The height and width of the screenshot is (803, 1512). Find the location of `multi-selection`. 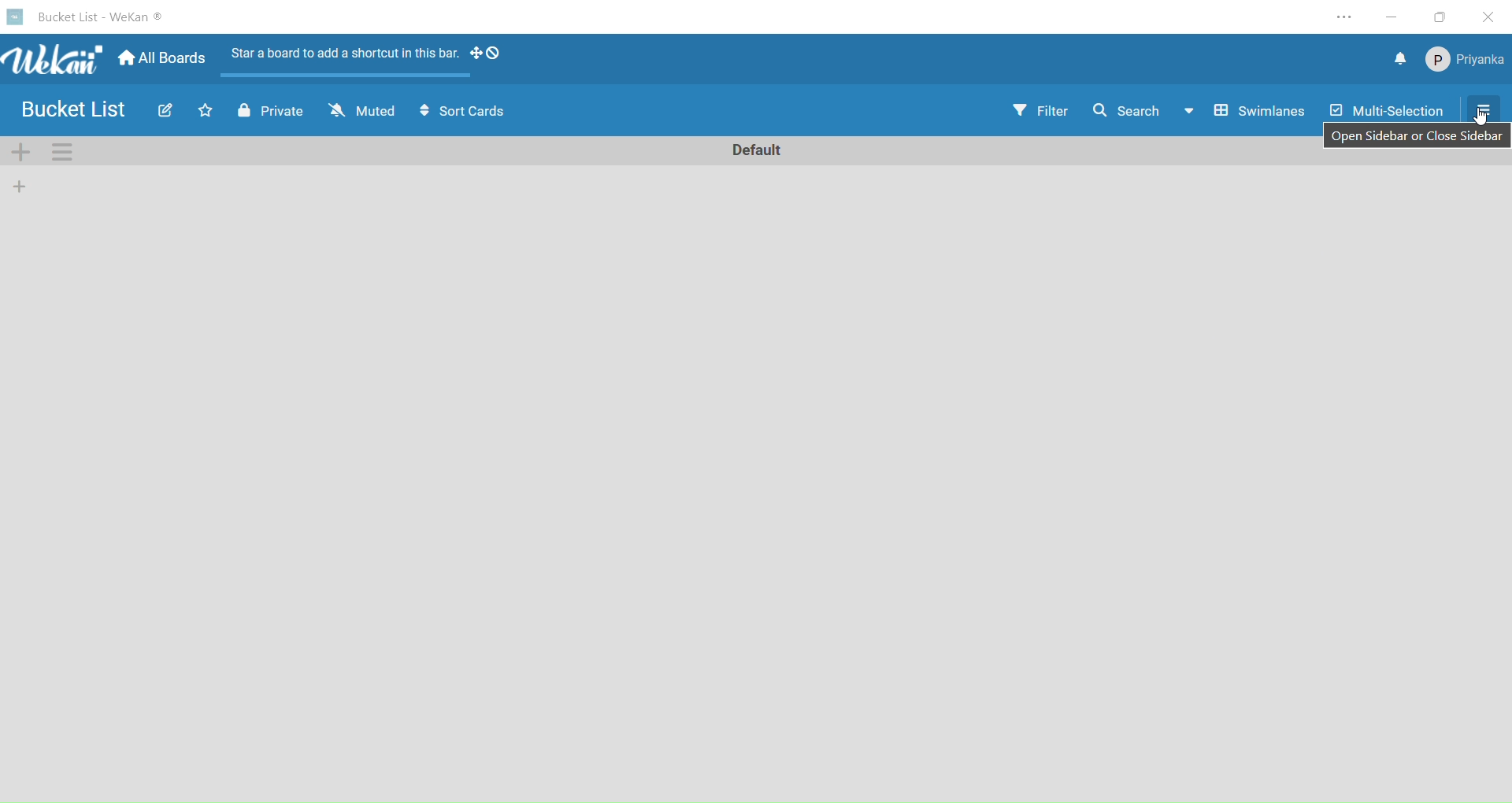

multi-selection is located at coordinates (1392, 109).